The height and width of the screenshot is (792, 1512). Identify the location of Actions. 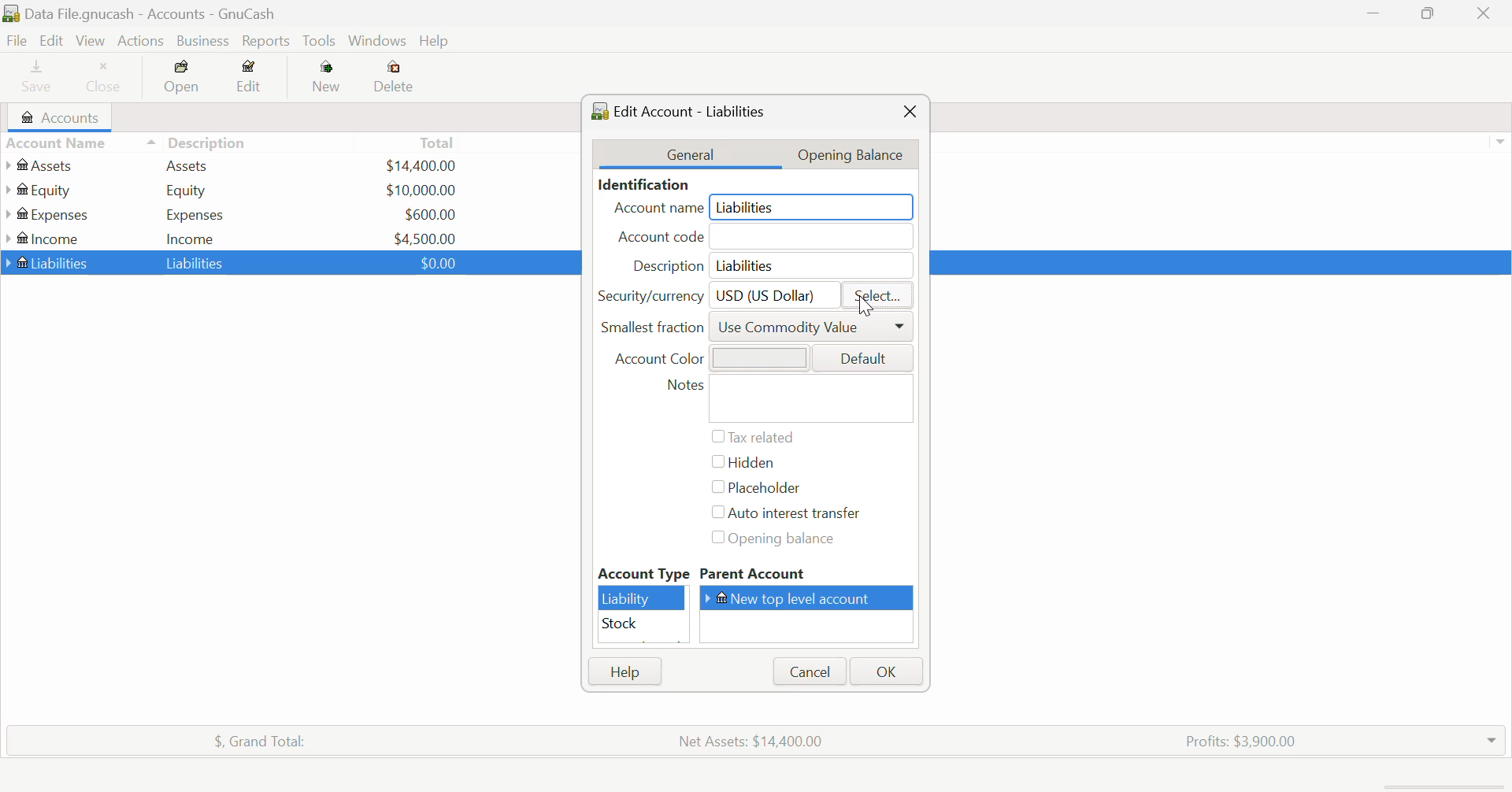
(139, 41).